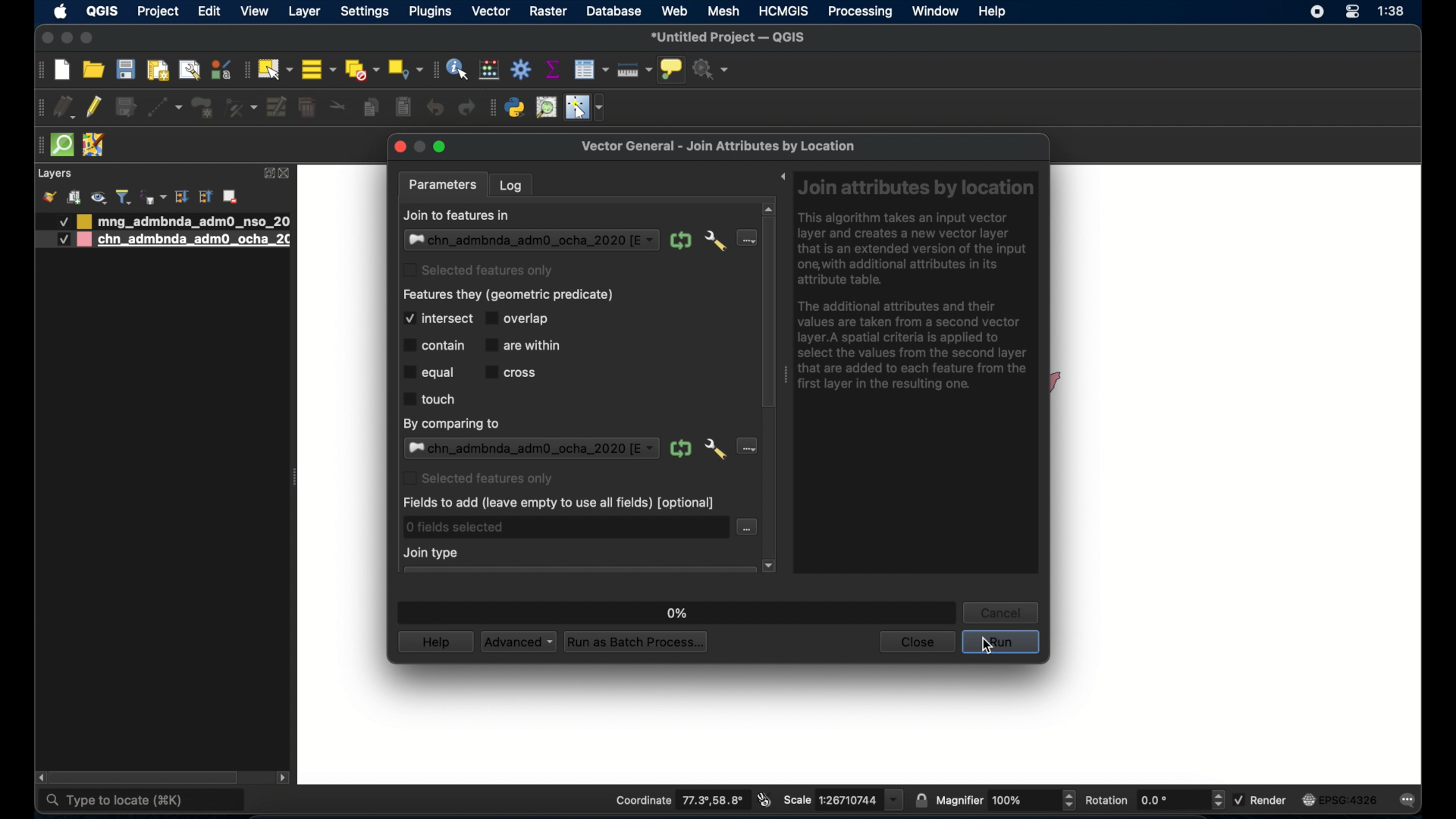 The height and width of the screenshot is (819, 1456). What do you see at coordinates (156, 13) in the screenshot?
I see `project` at bounding box center [156, 13].